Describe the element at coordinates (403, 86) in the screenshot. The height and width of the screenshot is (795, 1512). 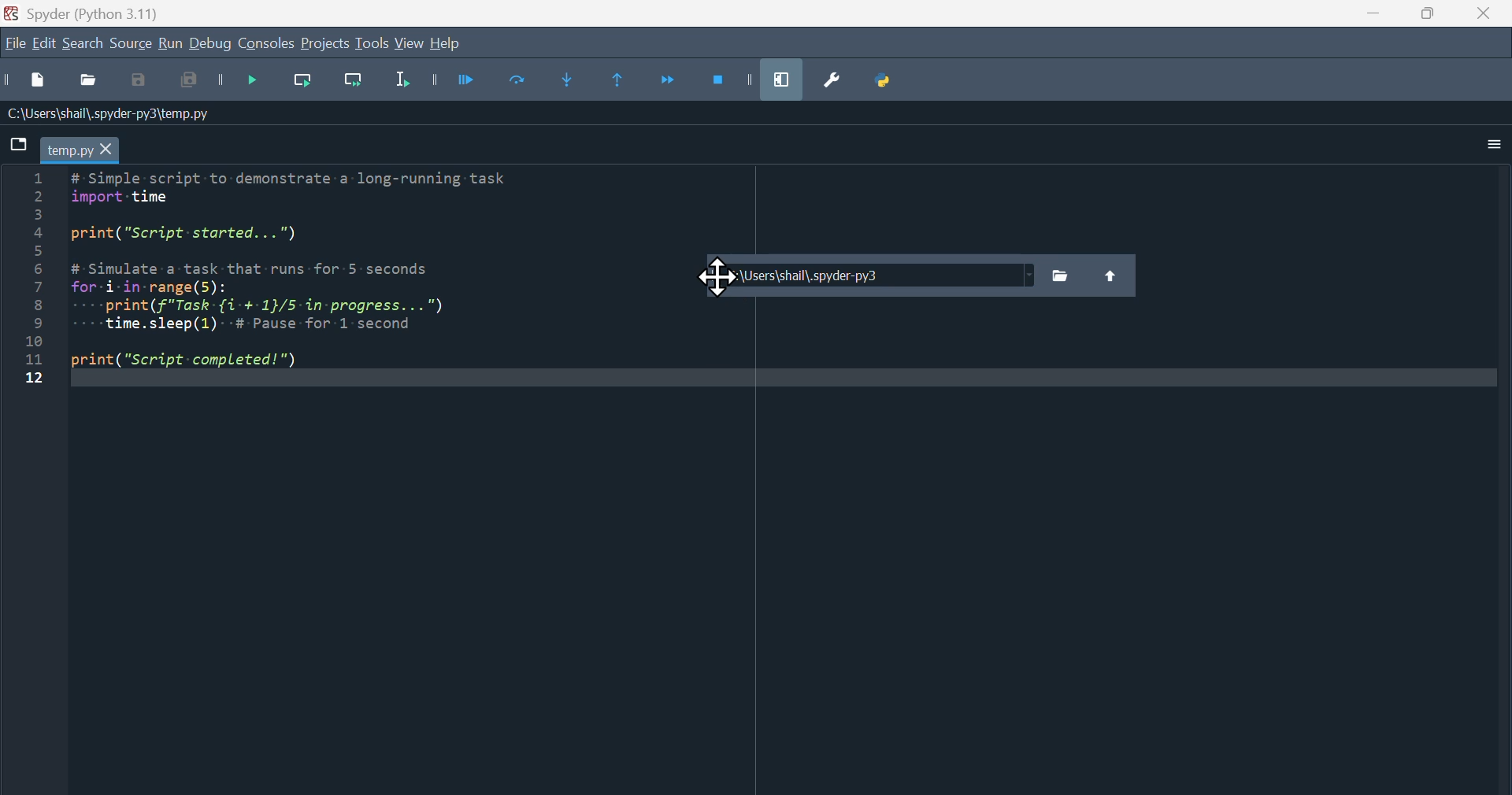
I see `Run selection` at that location.